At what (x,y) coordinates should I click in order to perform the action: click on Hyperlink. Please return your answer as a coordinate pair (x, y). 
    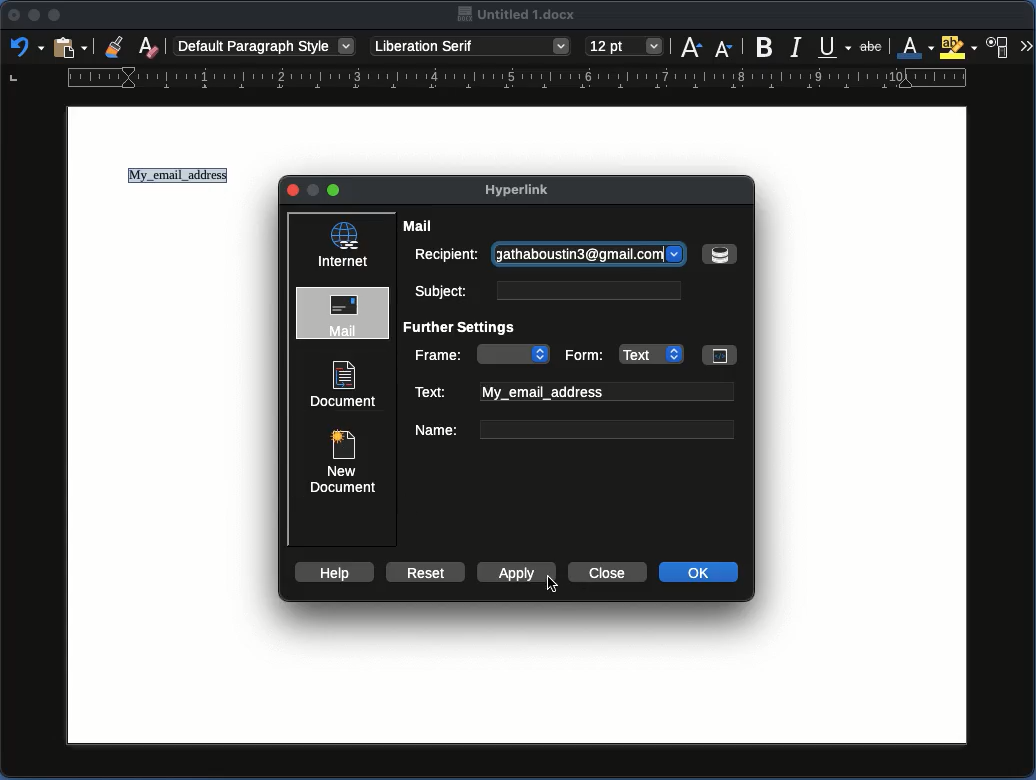
    Looking at the image, I should click on (526, 192).